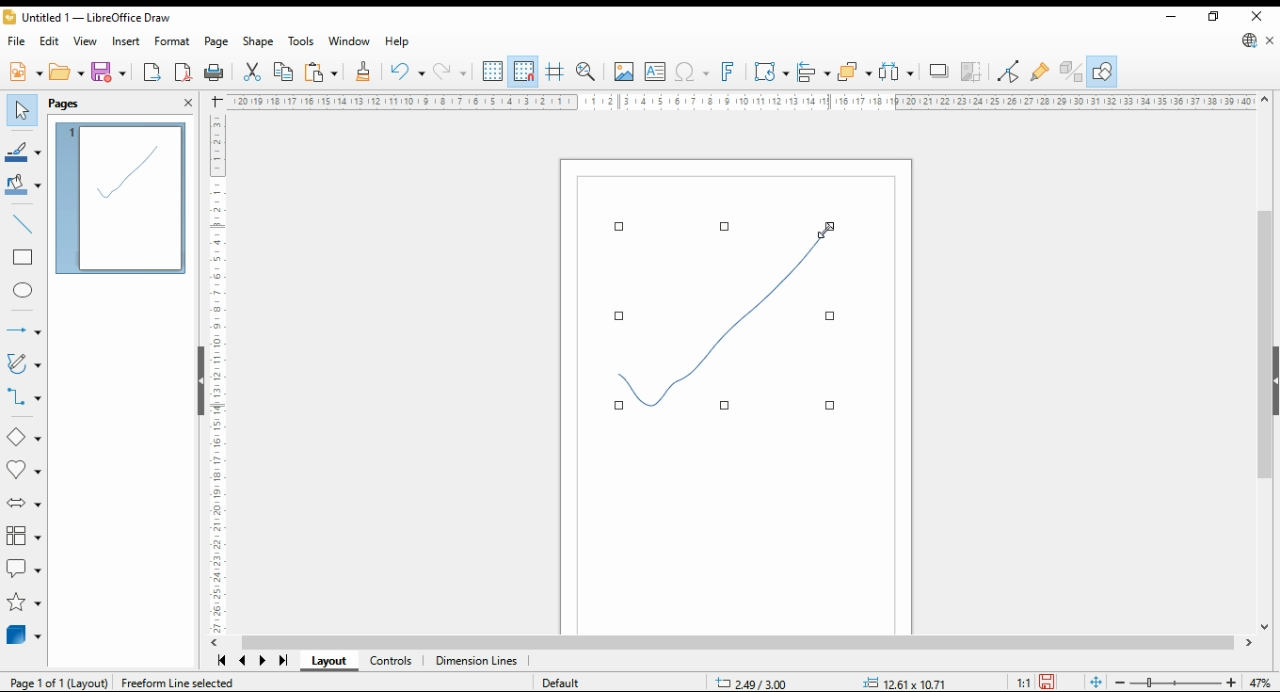 This screenshot has height=692, width=1280. What do you see at coordinates (23, 568) in the screenshot?
I see `callout shapes` at bounding box center [23, 568].